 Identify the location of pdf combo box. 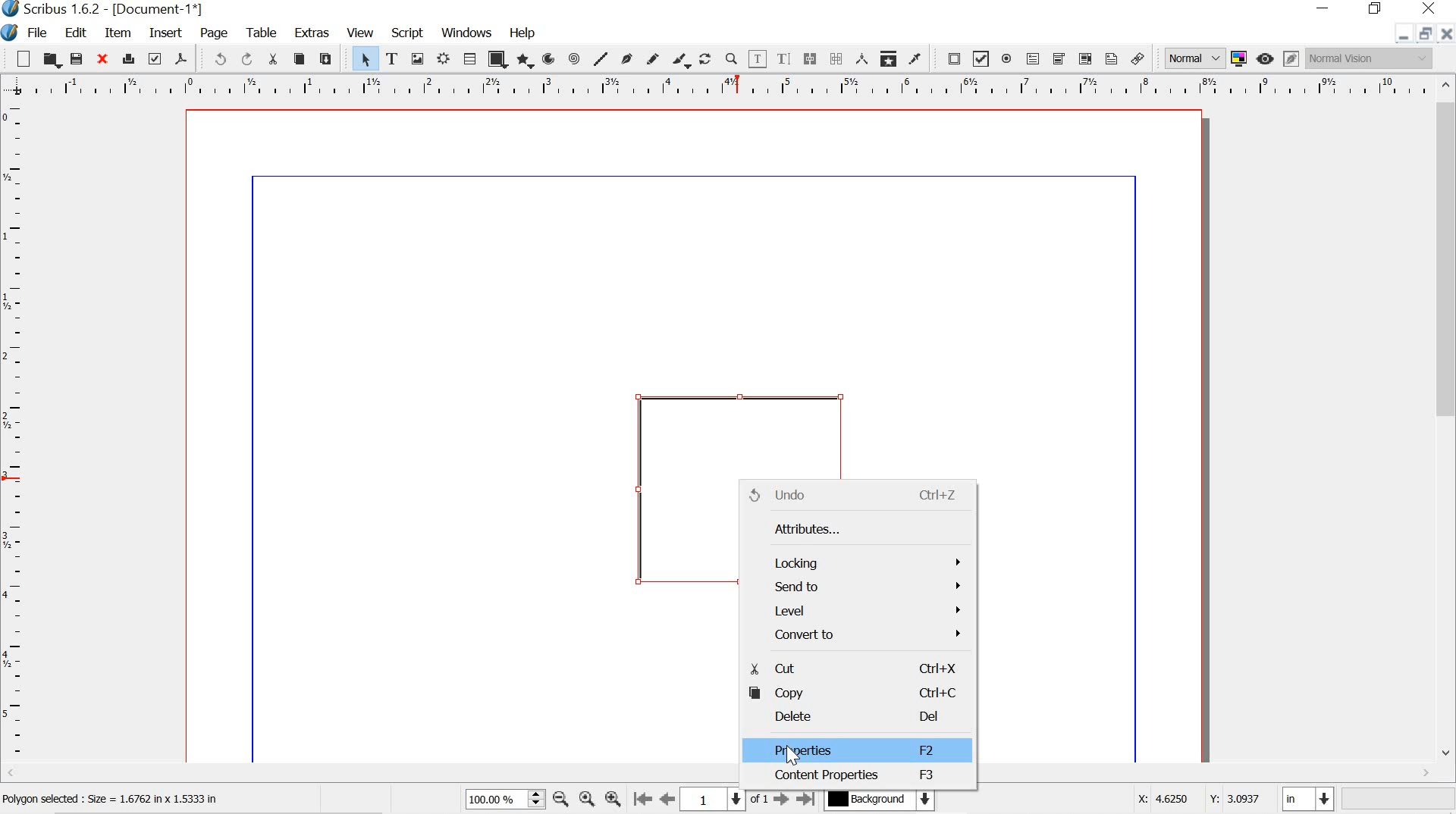
(1056, 58).